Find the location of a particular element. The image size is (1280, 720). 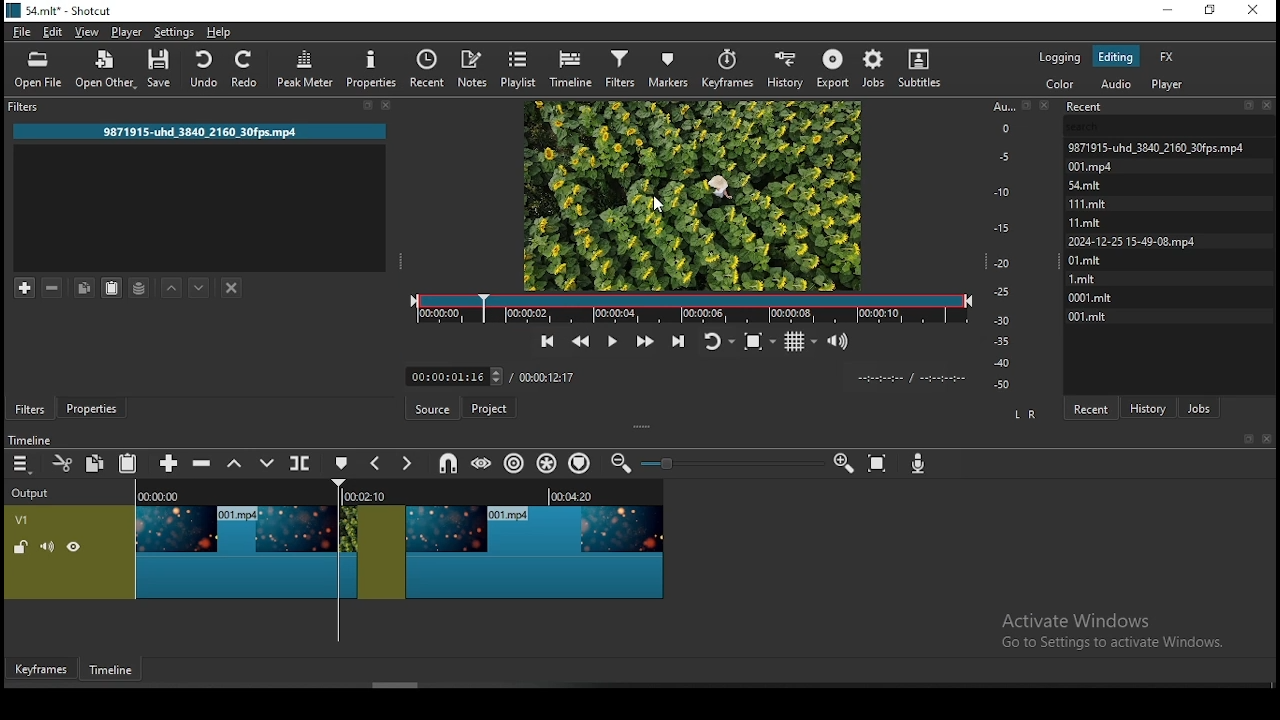

settings is located at coordinates (173, 33).